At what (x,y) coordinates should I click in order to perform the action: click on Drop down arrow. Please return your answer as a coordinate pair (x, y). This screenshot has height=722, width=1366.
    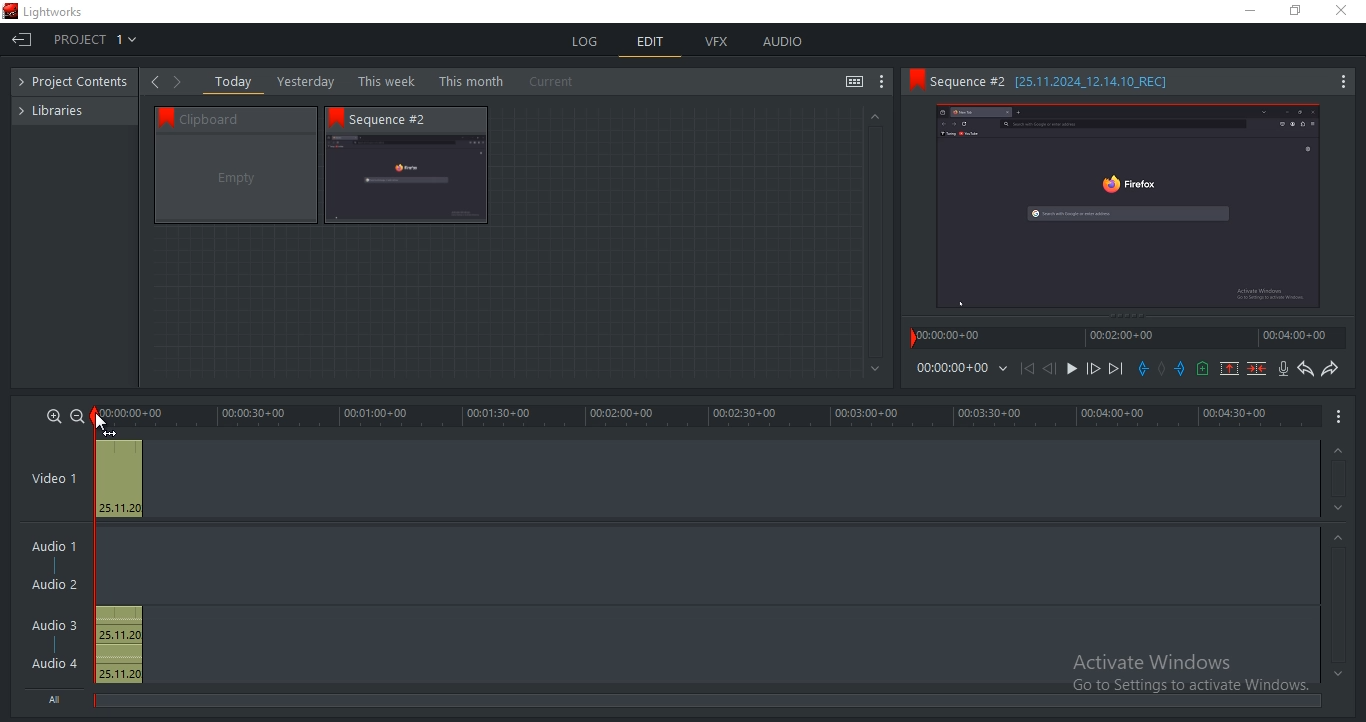
    Looking at the image, I should click on (1003, 369).